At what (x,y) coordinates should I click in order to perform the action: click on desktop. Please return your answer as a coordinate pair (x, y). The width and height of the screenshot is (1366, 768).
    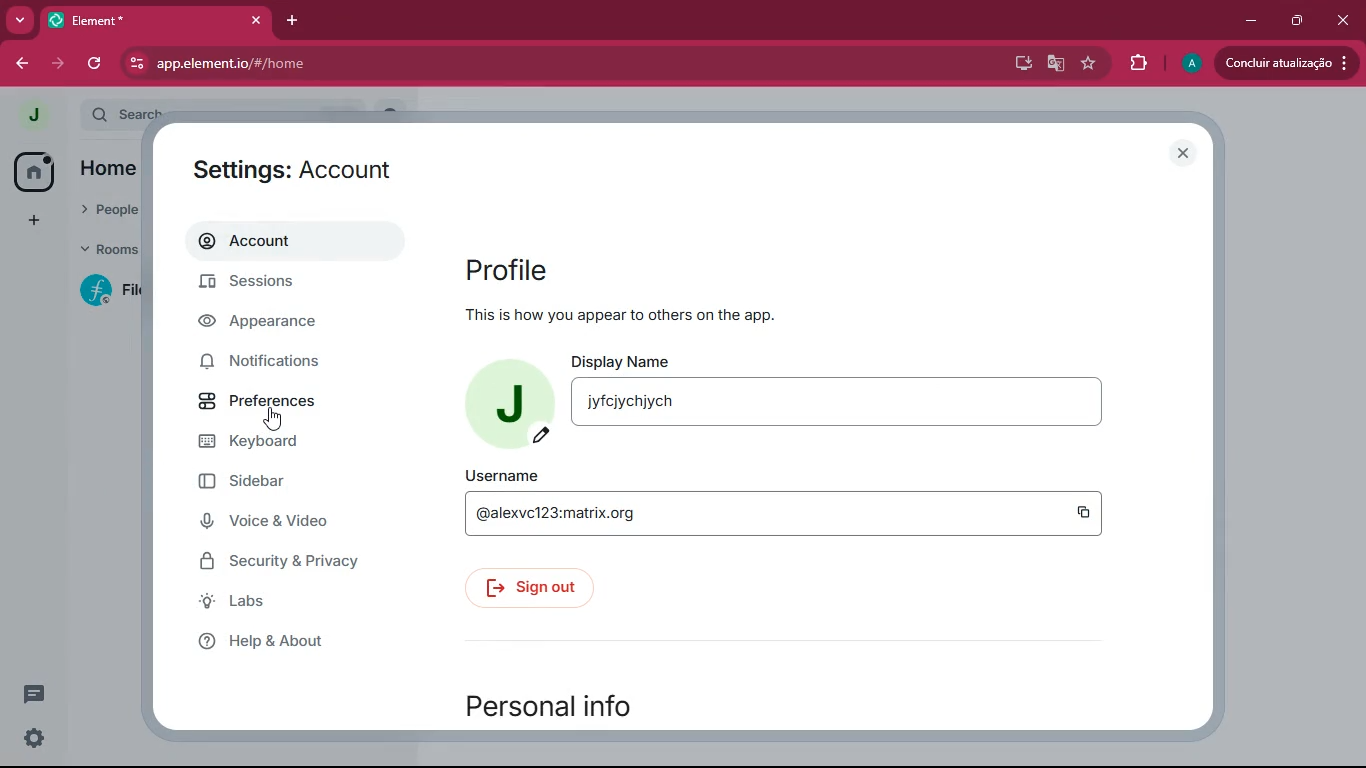
    Looking at the image, I should click on (1017, 64).